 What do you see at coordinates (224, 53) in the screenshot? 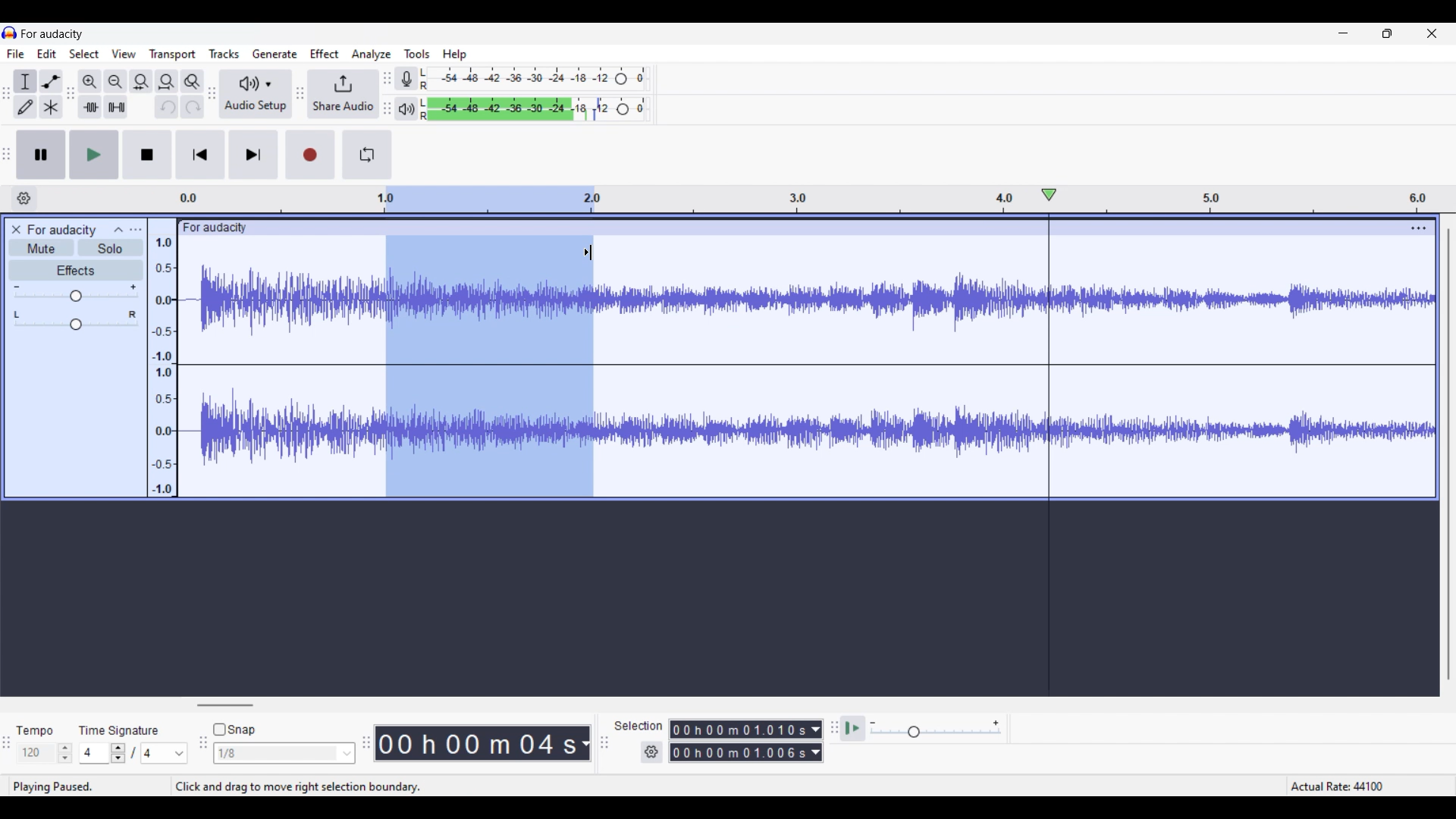
I see `Tracks menu` at bounding box center [224, 53].